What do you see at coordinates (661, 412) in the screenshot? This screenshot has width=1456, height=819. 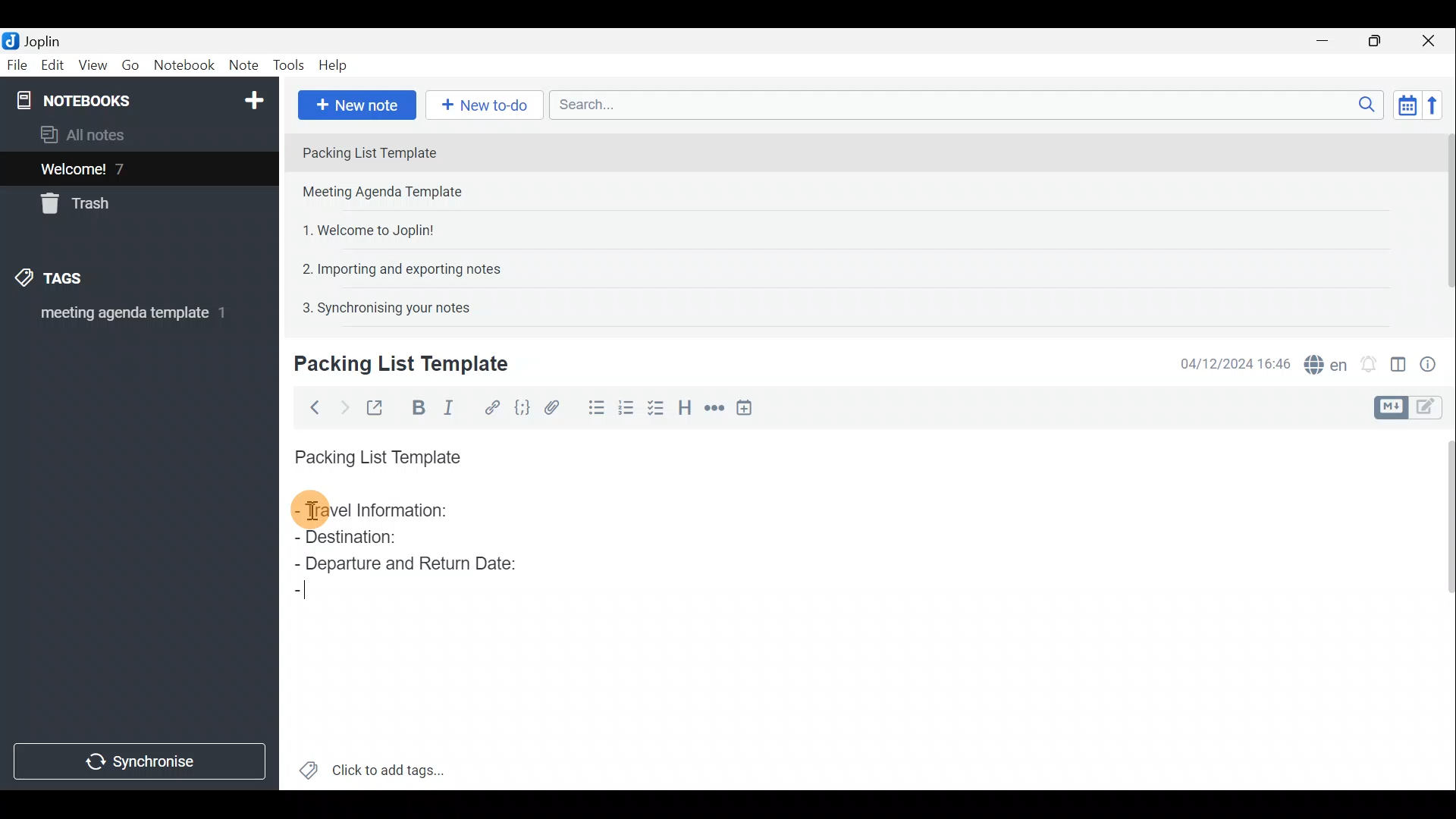 I see `Checkbox` at bounding box center [661, 412].